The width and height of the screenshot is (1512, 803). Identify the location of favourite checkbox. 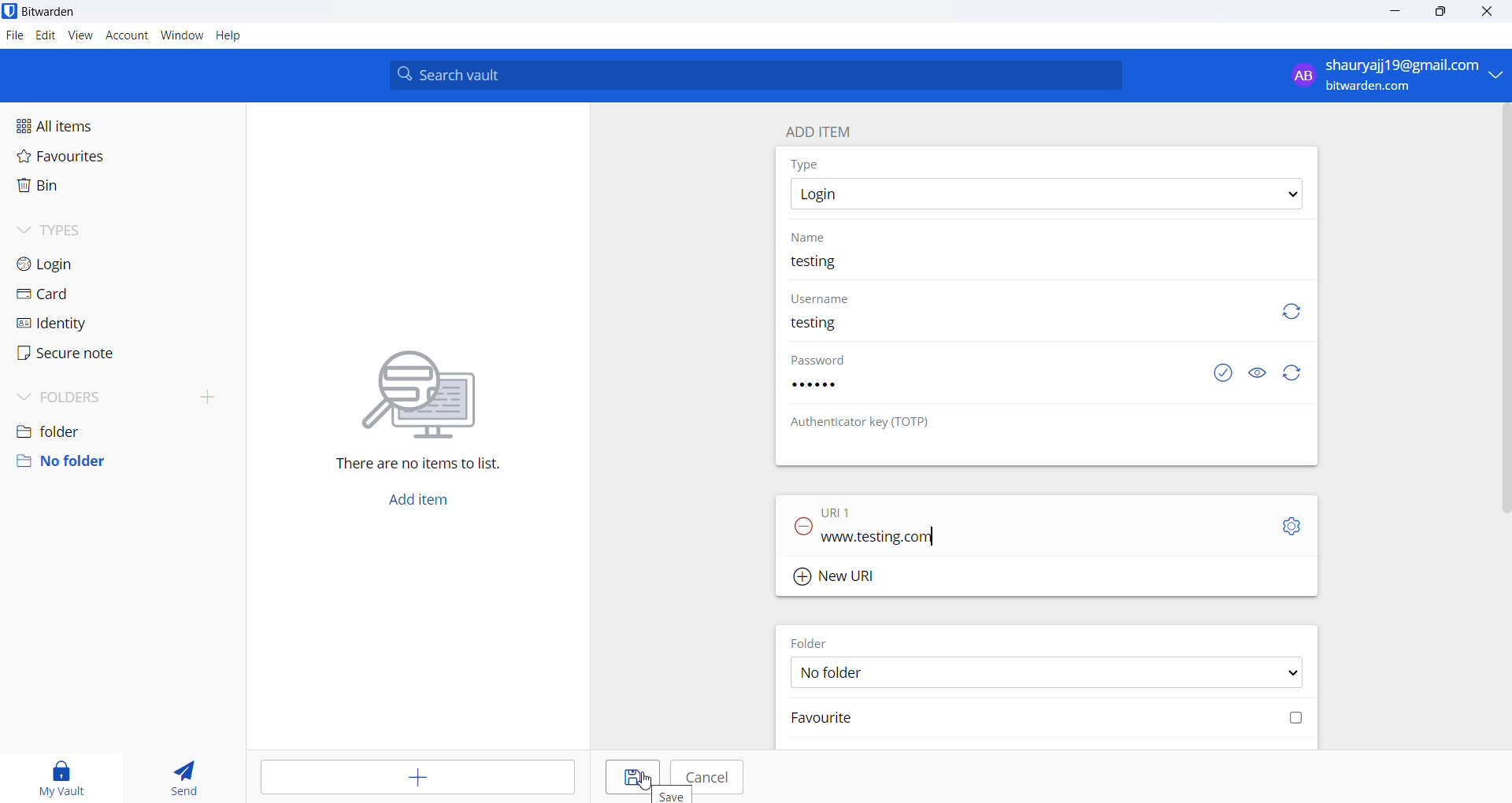
(1050, 718).